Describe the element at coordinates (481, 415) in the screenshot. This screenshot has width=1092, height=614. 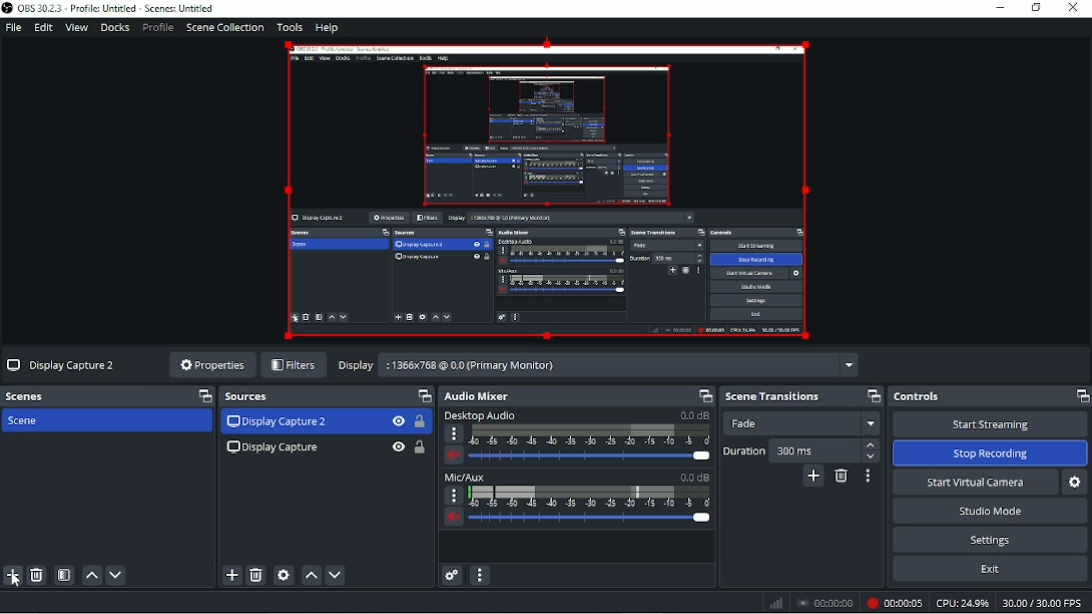
I see `Desktop Audio` at that location.